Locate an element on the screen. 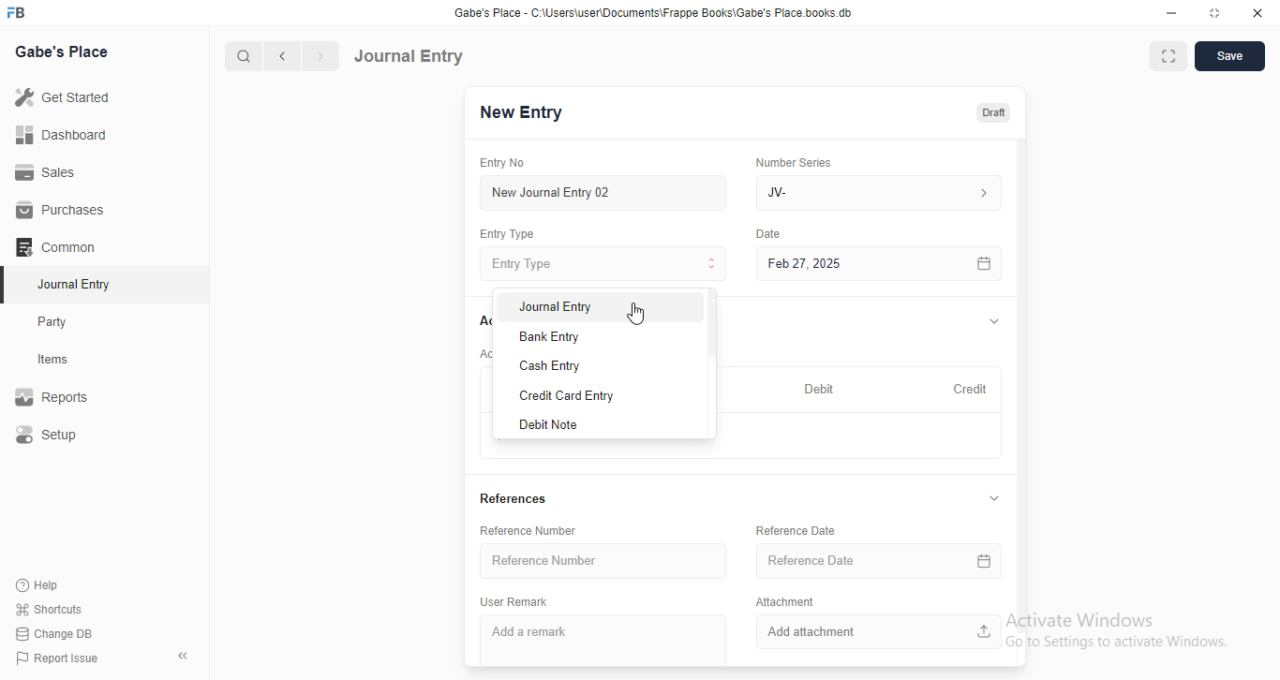 The height and width of the screenshot is (680, 1280). Get Started is located at coordinates (66, 97).